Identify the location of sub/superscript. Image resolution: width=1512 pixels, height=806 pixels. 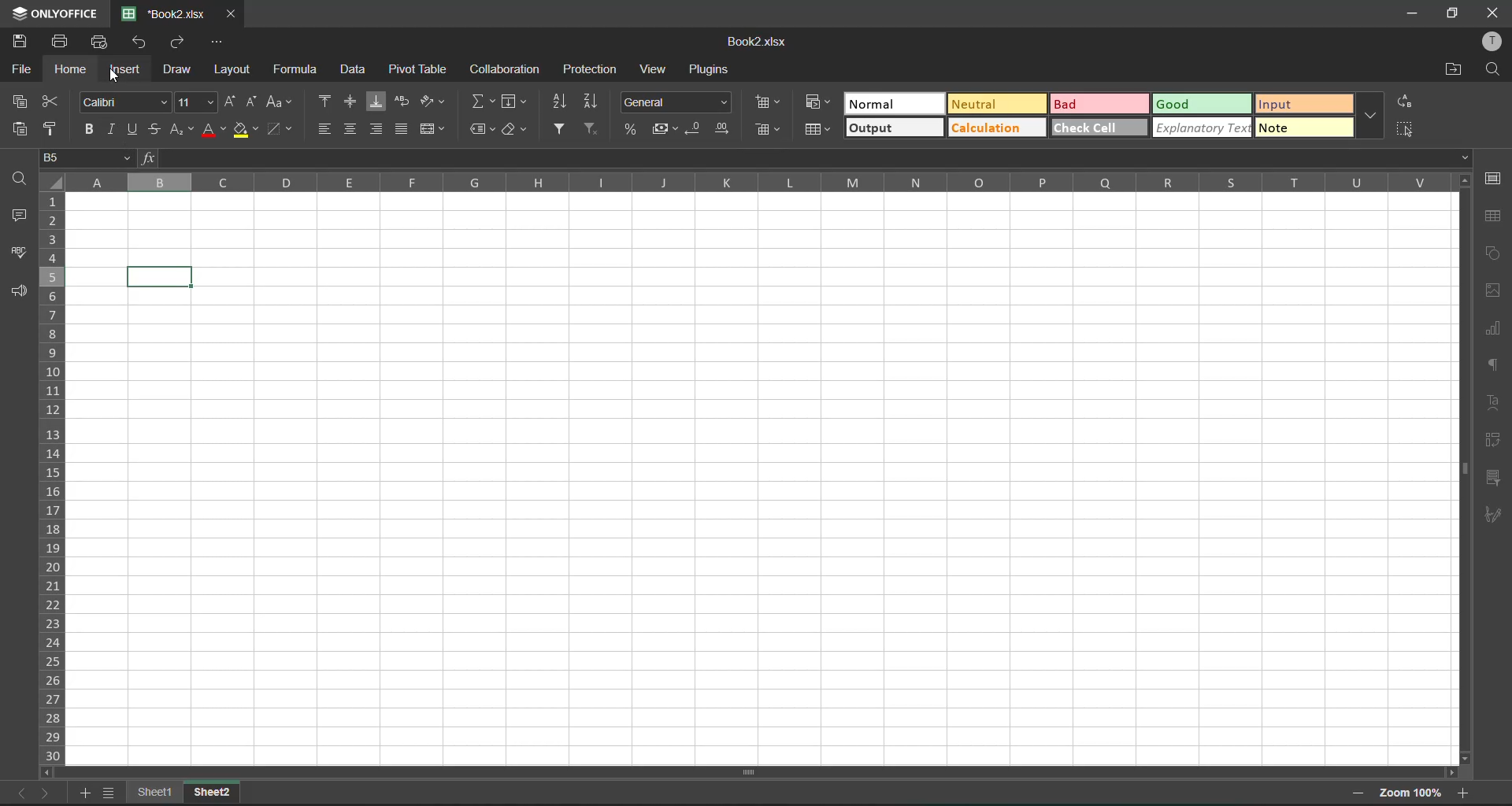
(183, 131).